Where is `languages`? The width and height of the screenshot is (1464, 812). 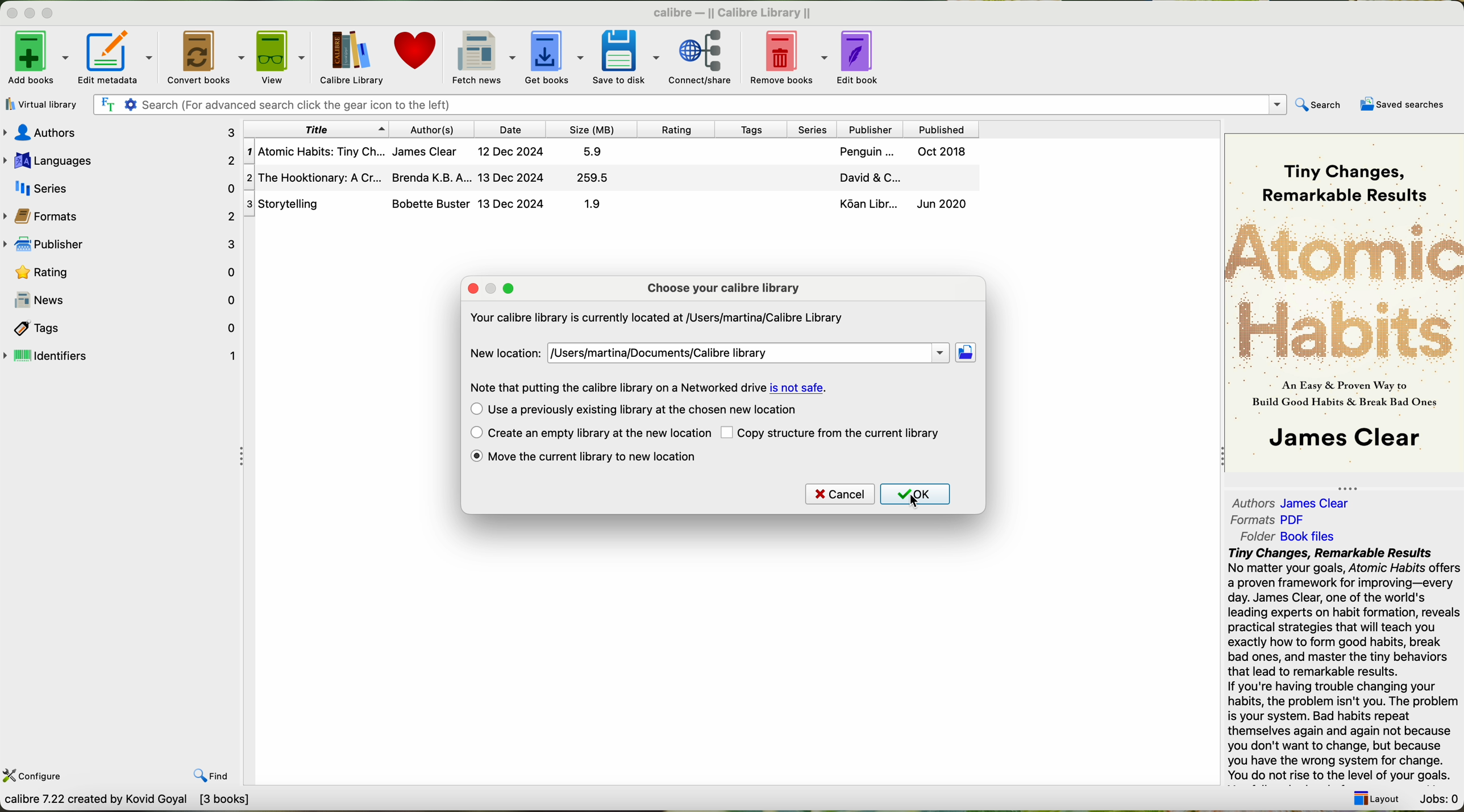
languages is located at coordinates (120, 159).